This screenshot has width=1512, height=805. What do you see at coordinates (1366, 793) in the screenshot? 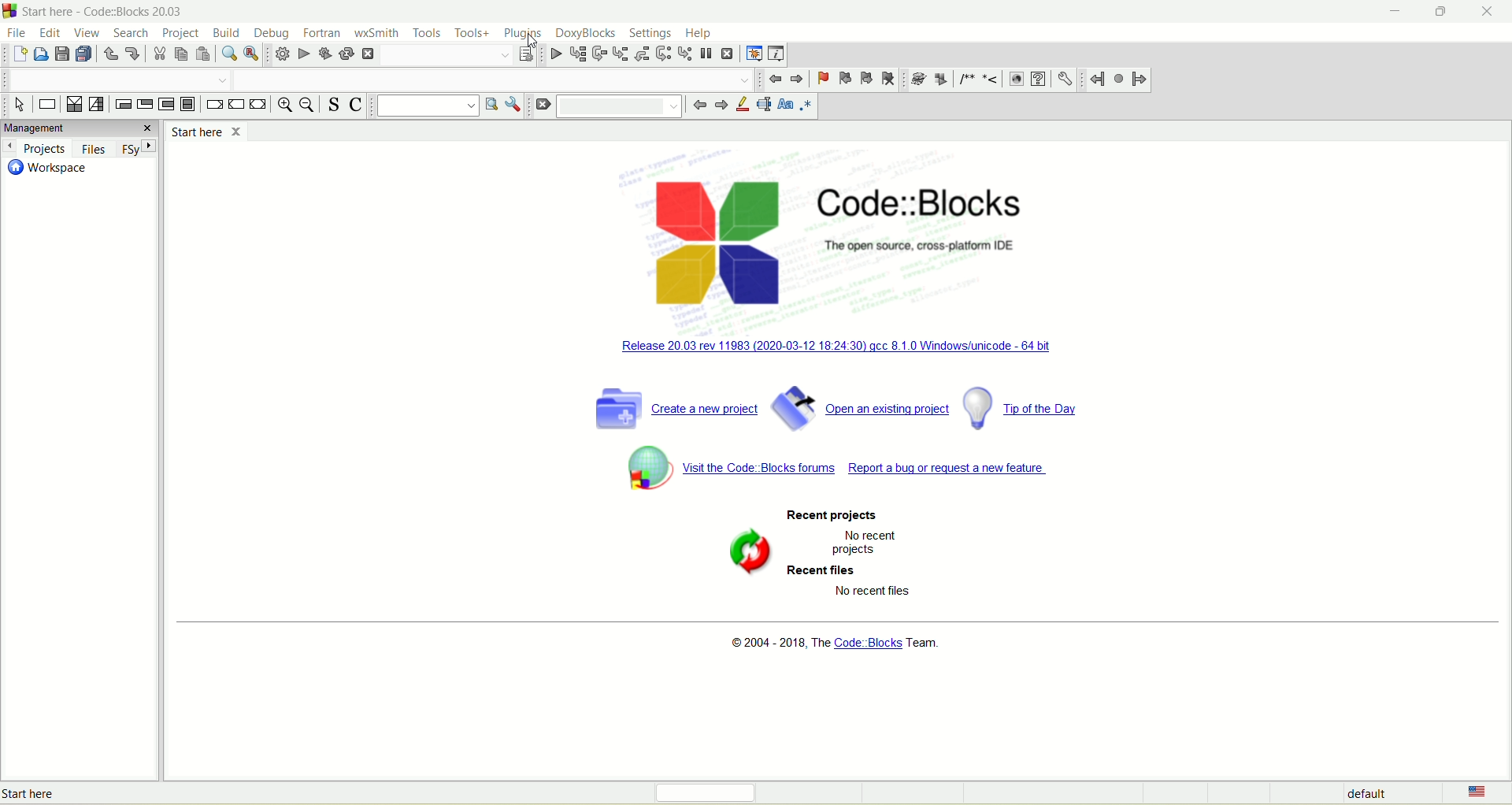
I see `default` at bounding box center [1366, 793].